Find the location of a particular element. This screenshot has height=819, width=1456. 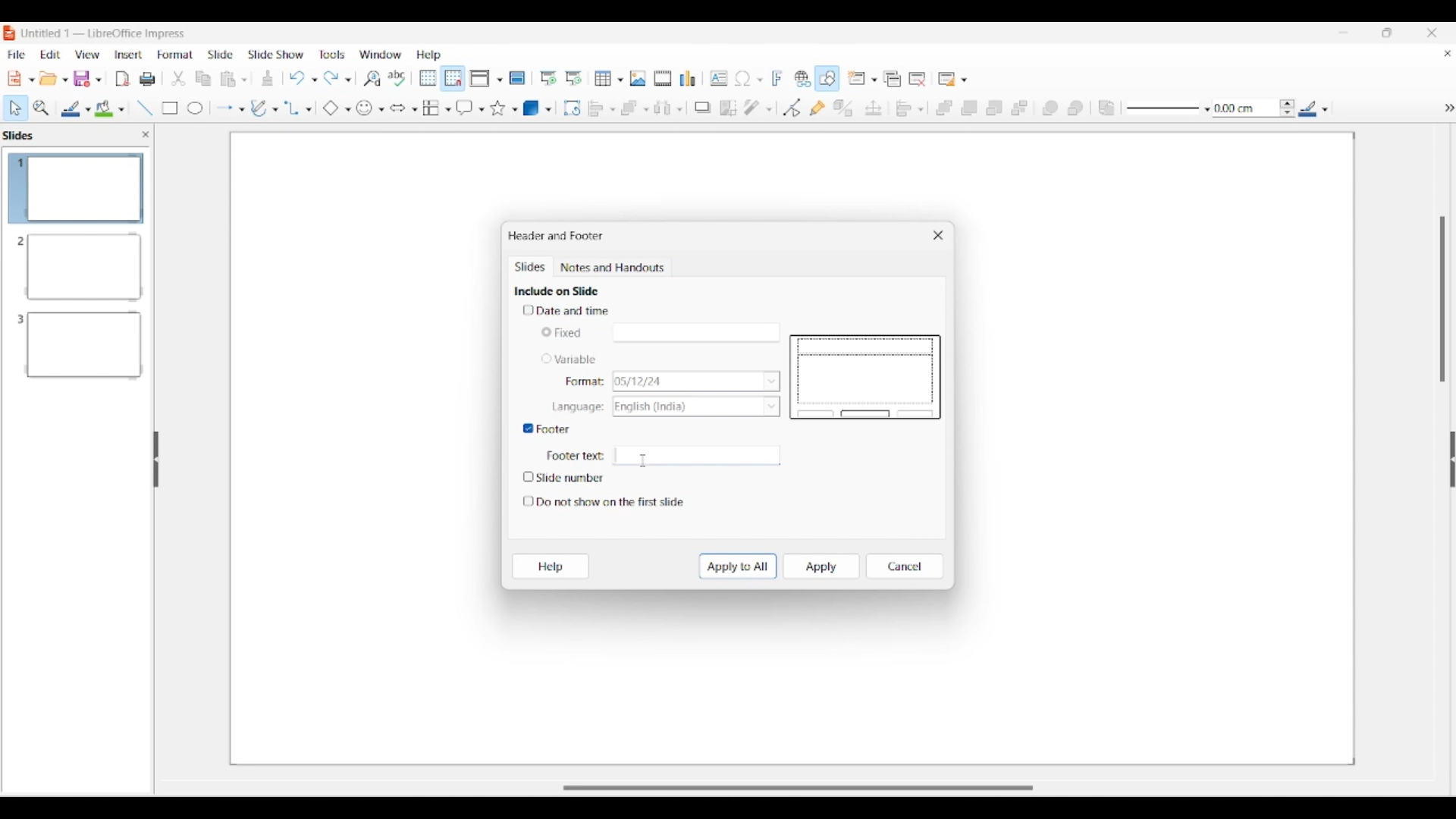

hide is located at coordinates (1446, 108).